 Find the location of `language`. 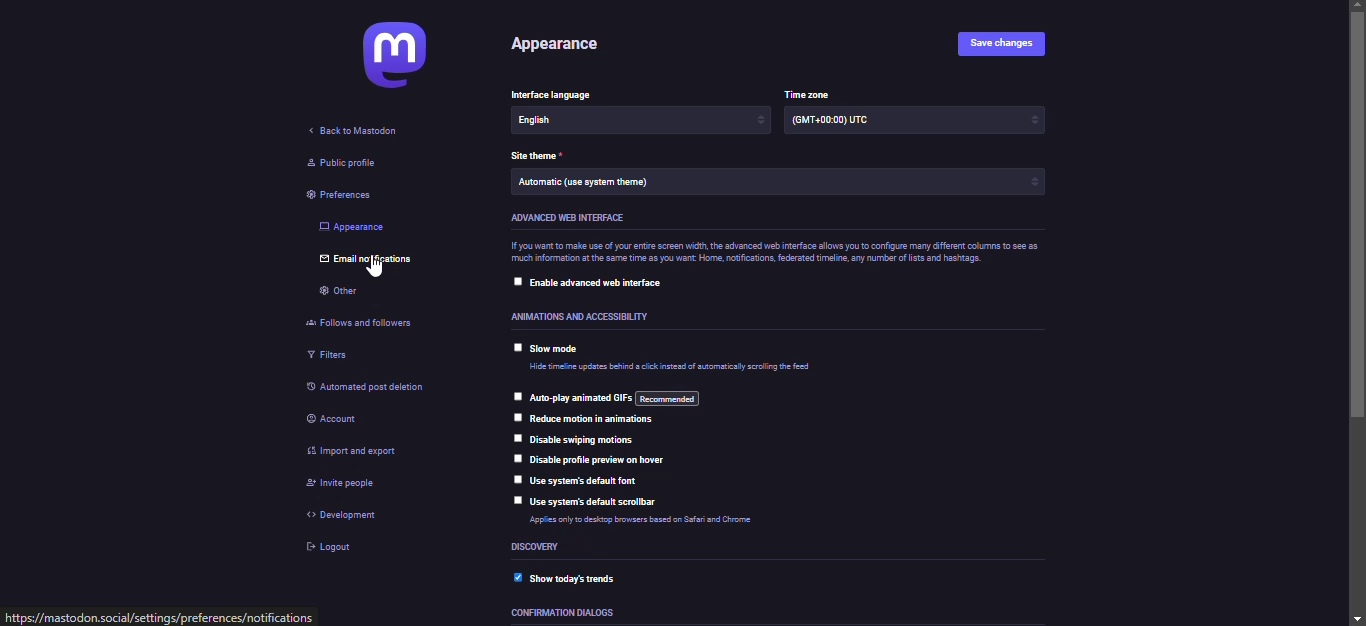

language is located at coordinates (569, 123).